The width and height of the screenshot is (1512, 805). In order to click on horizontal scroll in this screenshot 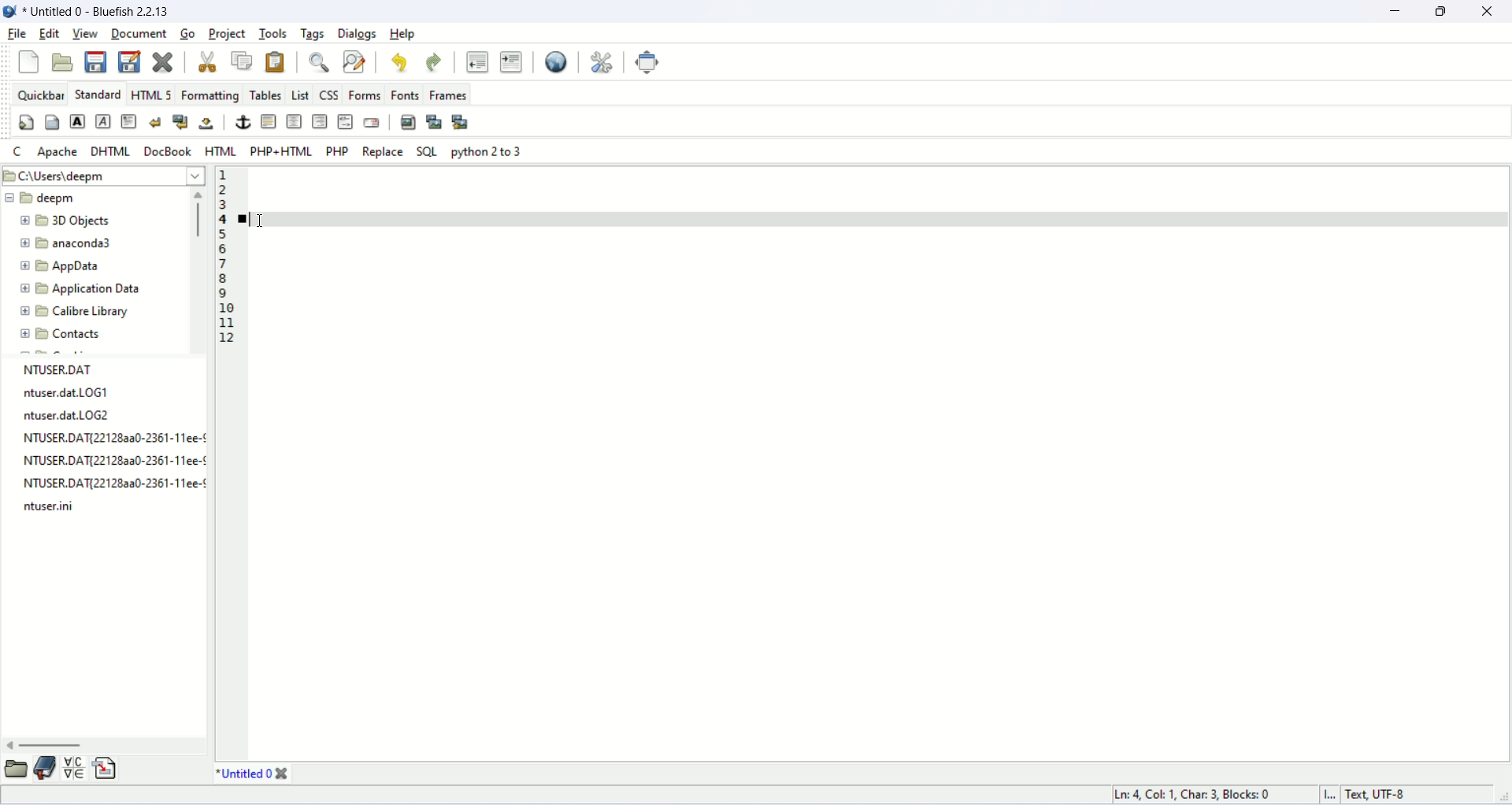, I will do `click(199, 269)`.